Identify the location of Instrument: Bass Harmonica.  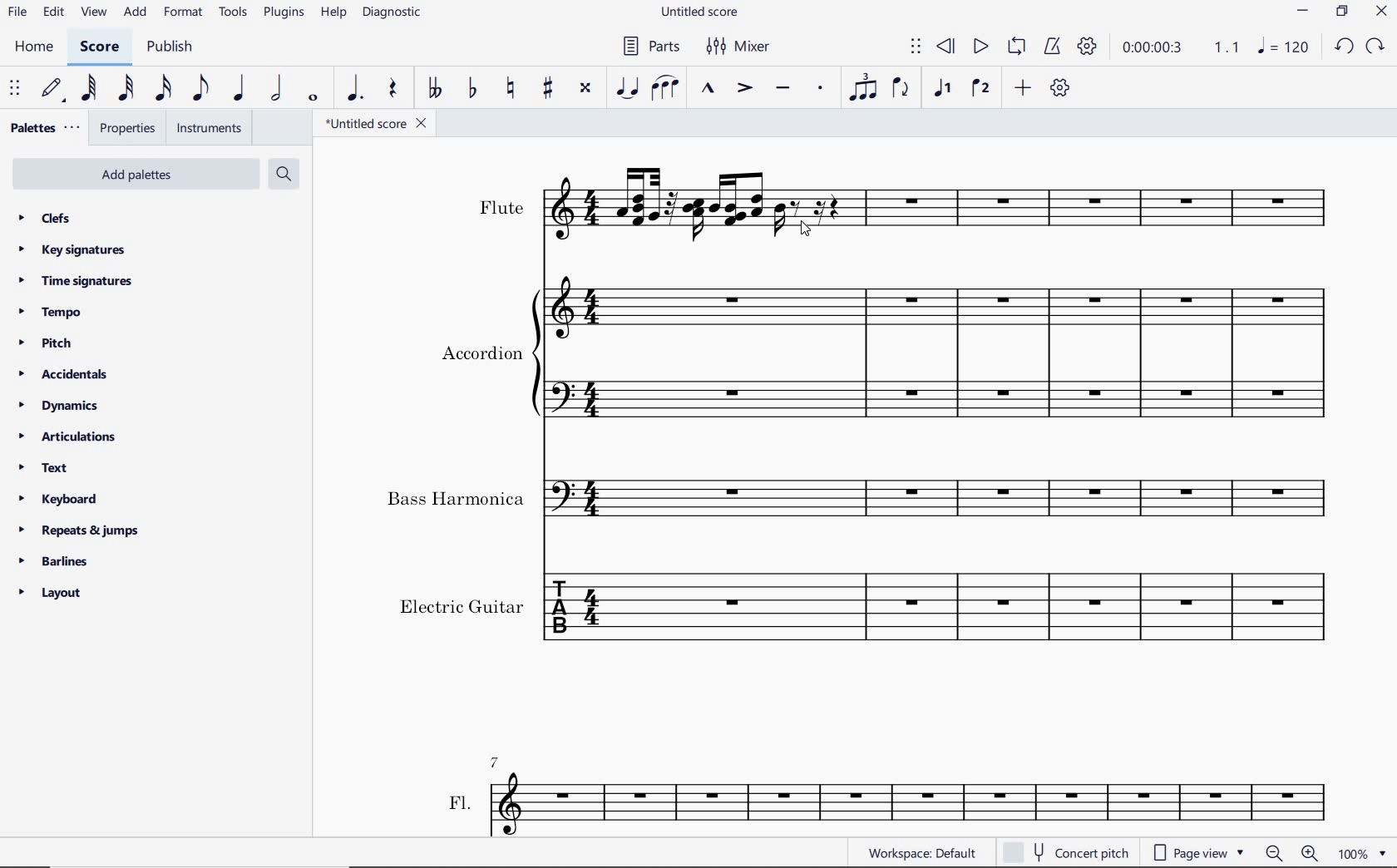
(946, 492).